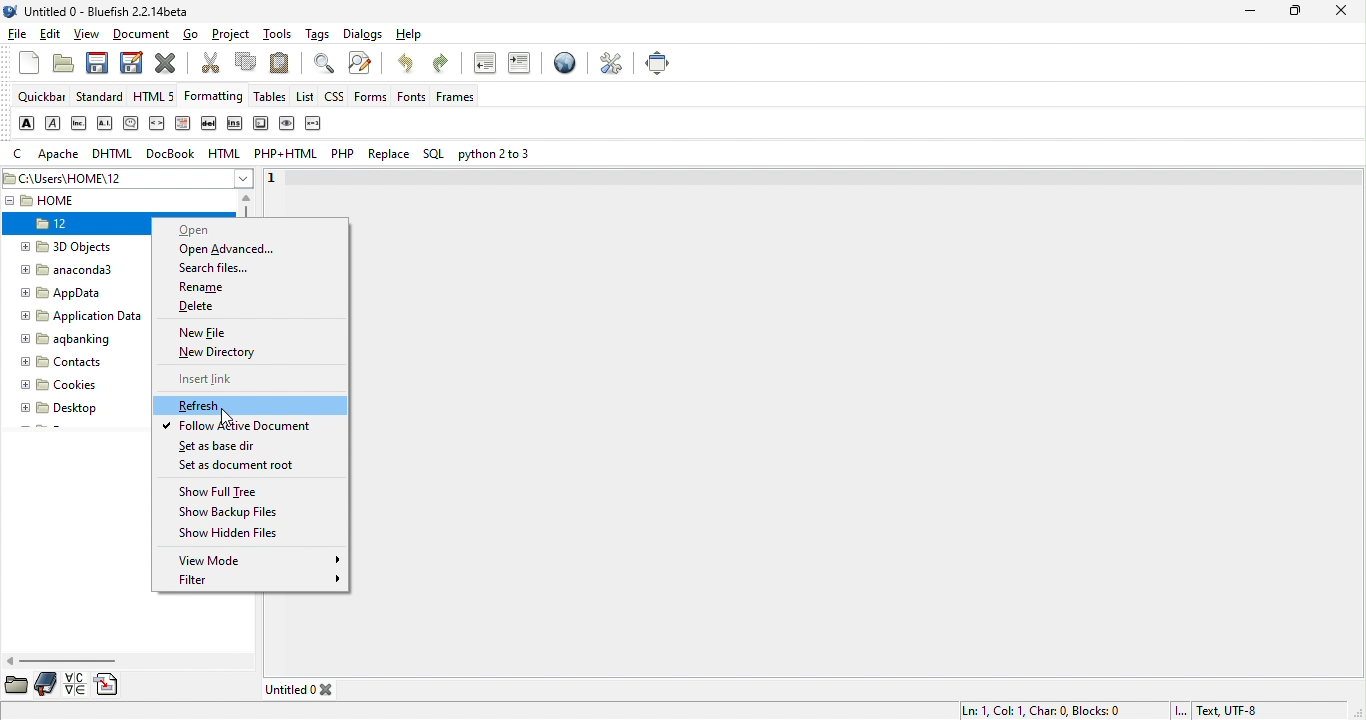 This screenshot has height=720, width=1366. What do you see at coordinates (257, 125) in the screenshot?
I see `keyboard` at bounding box center [257, 125].